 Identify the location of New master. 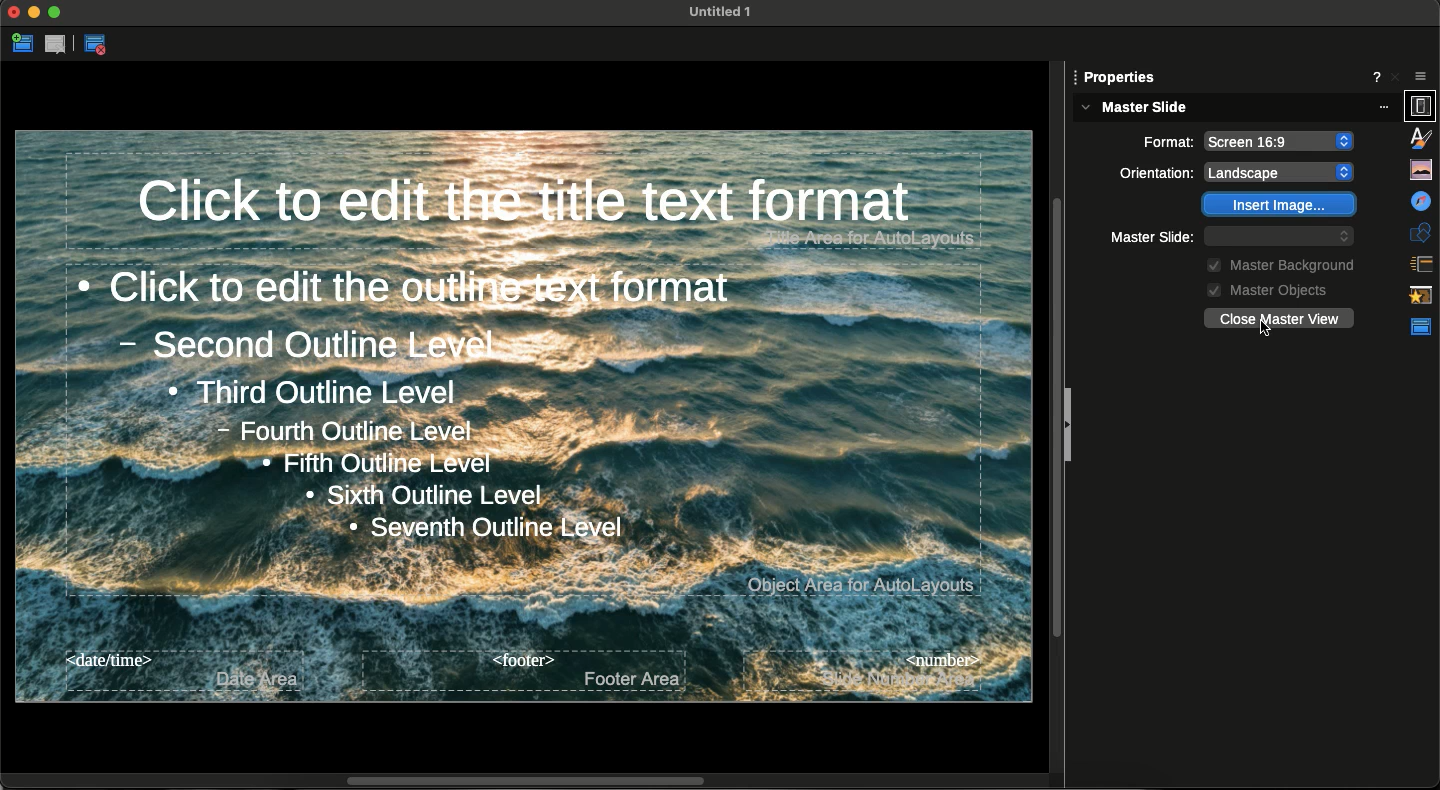
(22, 45).